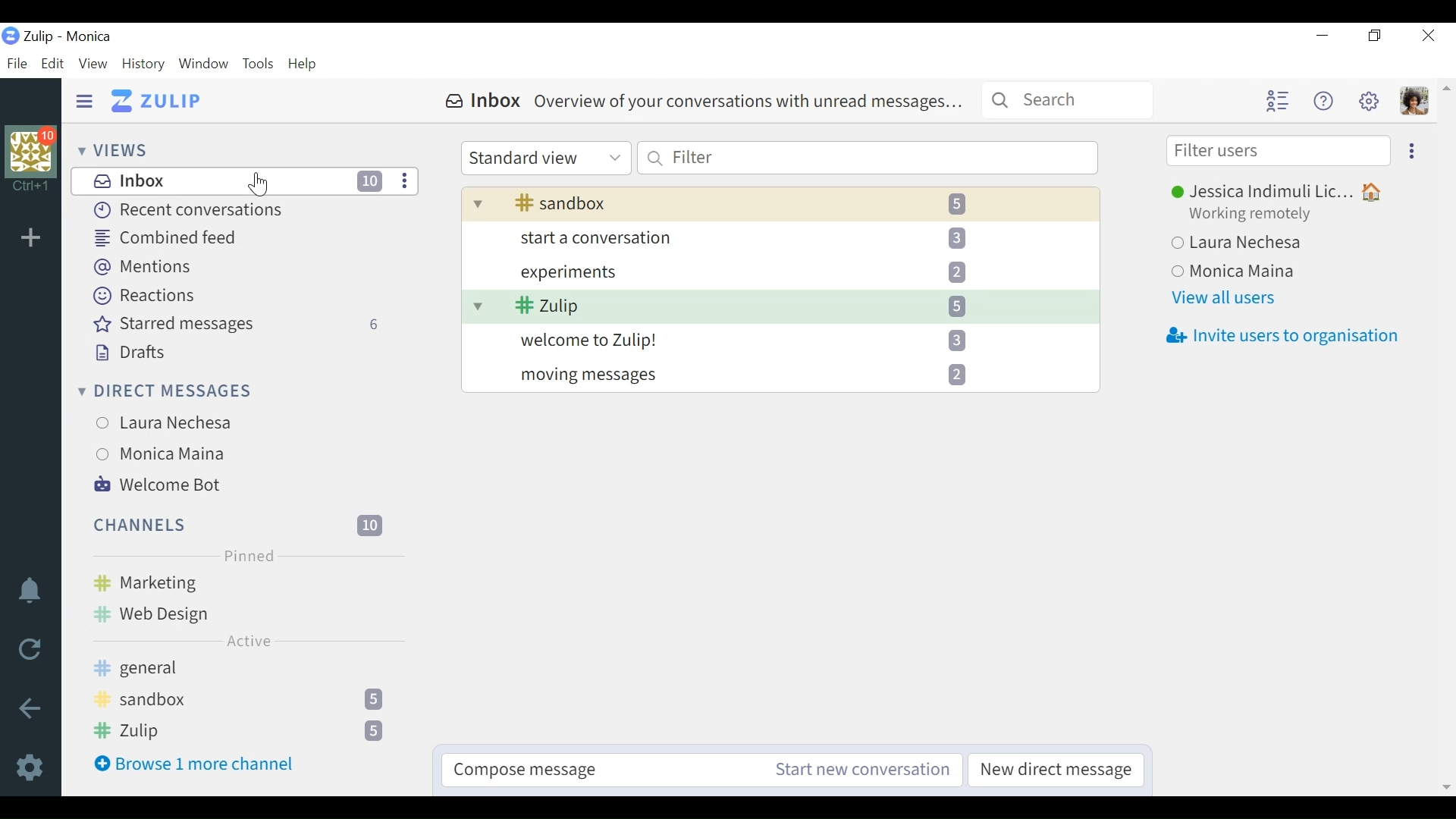 This screenshot has width=1456, height=819. What do you see at coordinates (1280, 337) in the screenshot?
I see `Invite users to organisation` at bounding box center [1280, 337].